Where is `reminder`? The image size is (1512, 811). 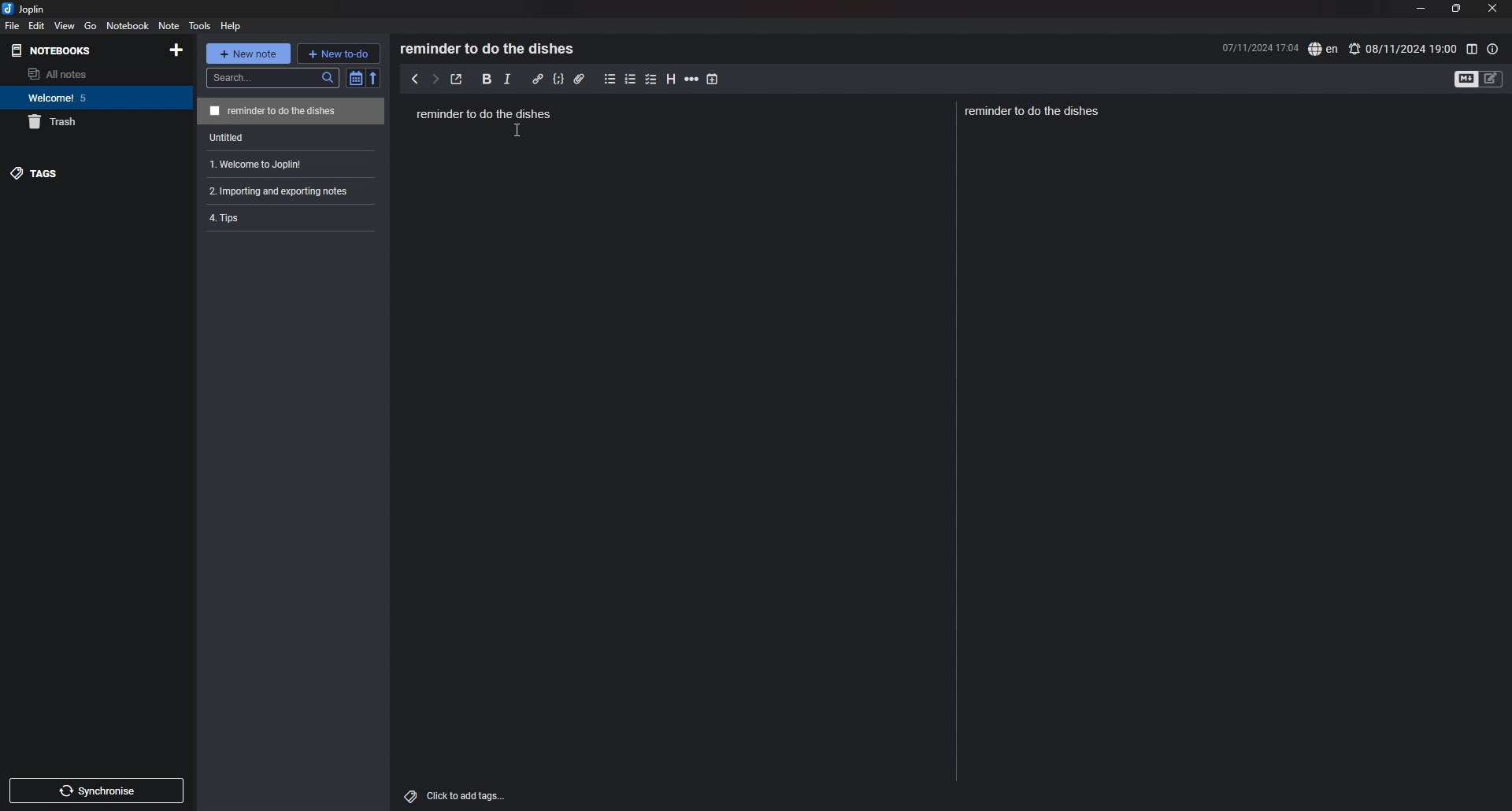
reminder is located at coordinates (1032, 109).